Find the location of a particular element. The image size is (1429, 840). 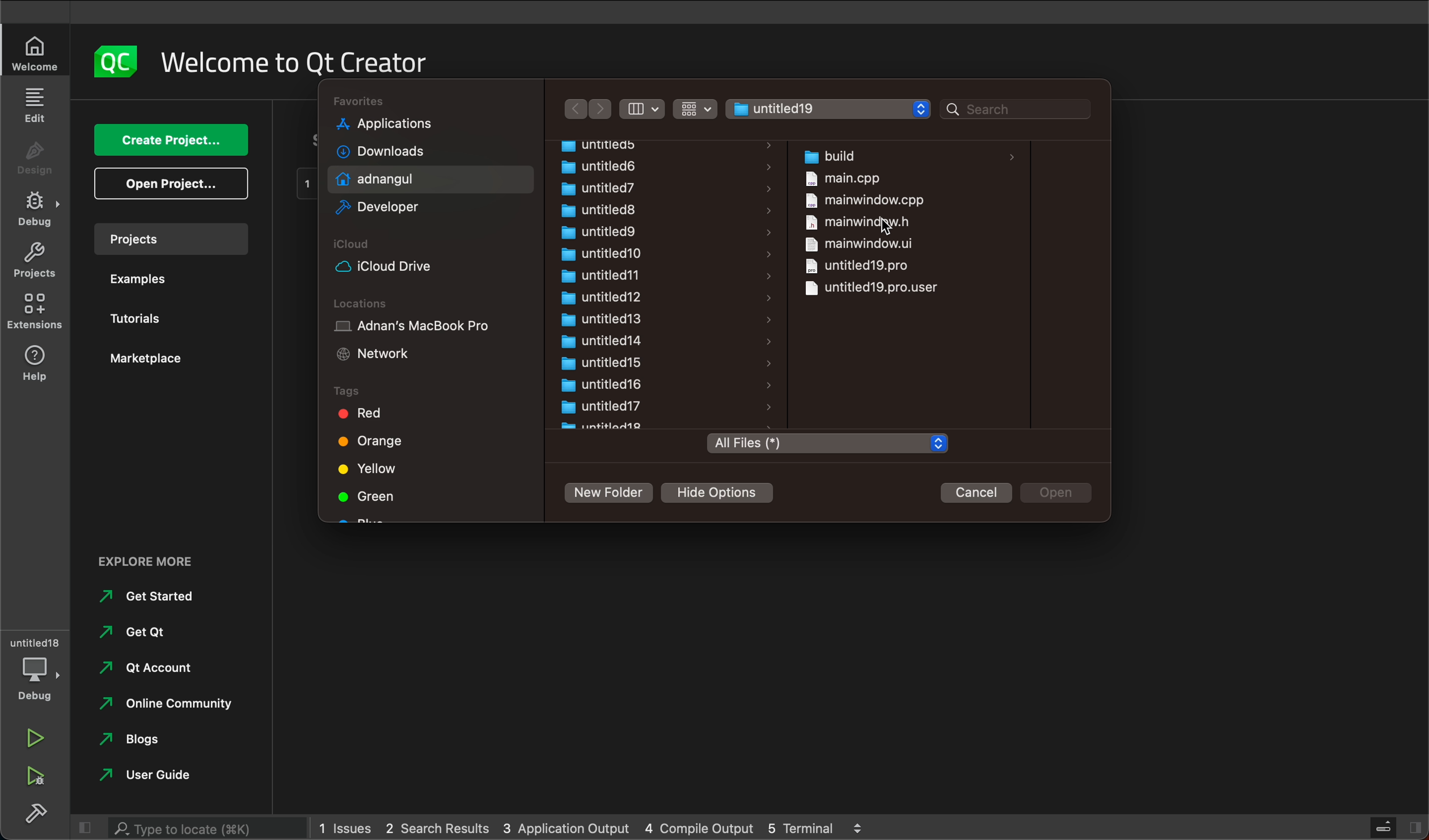

market place is located at coordinates (147, 357).